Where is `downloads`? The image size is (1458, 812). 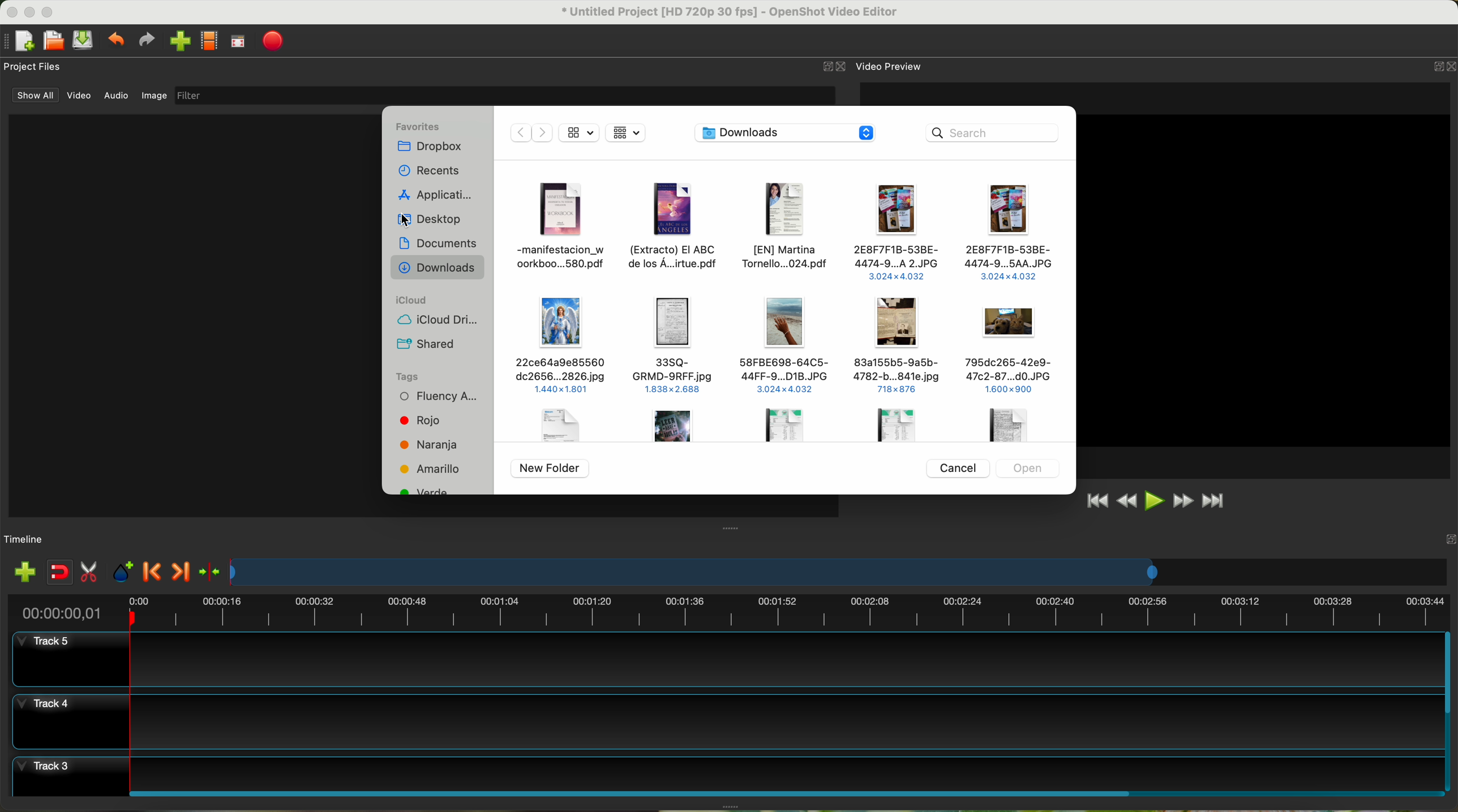
downloads is located at coordinates (437, 269).